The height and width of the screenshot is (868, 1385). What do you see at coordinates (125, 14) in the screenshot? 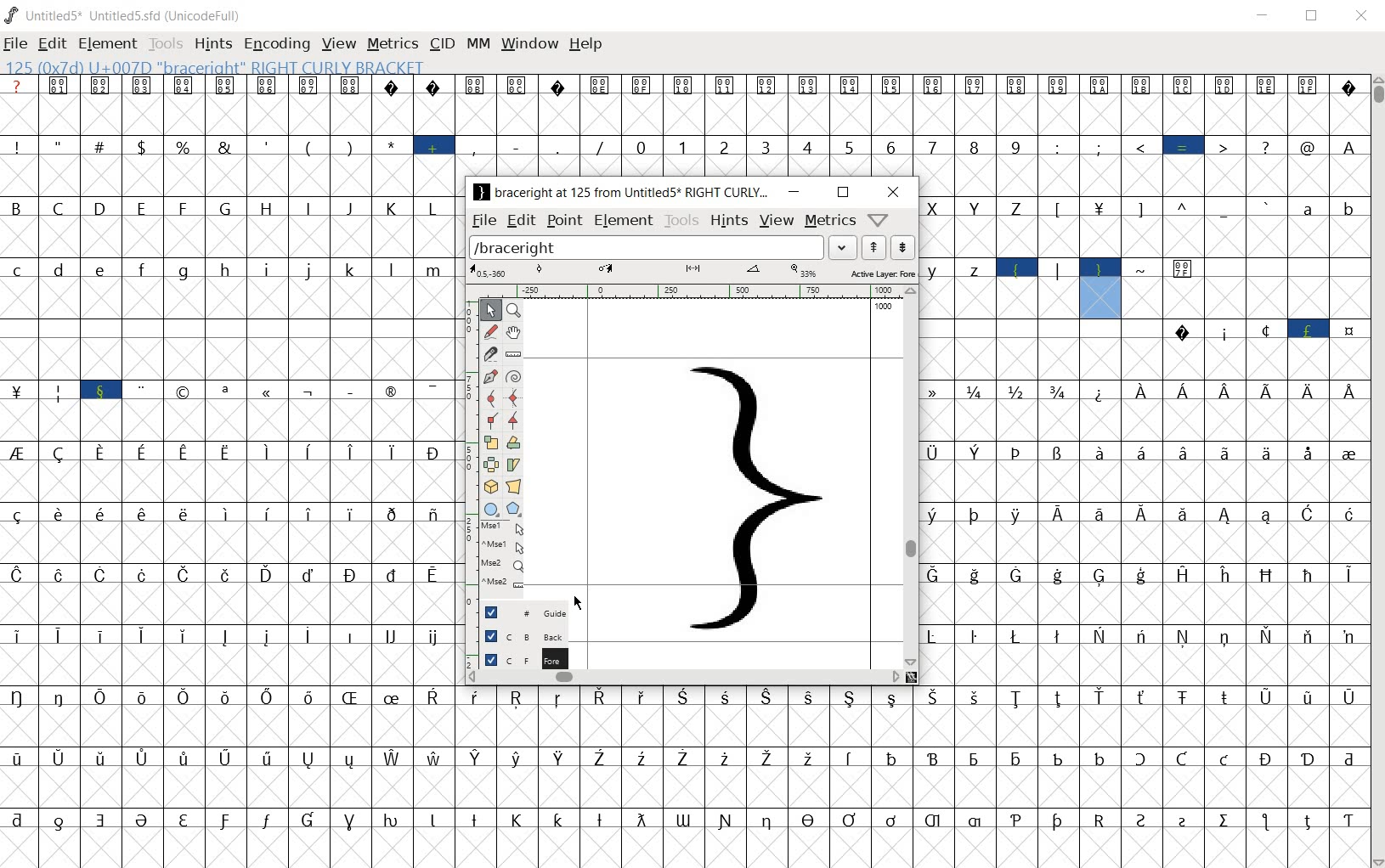
I see `Untitled5* Untitled5.sfd (UnicodeFull)` at bounding box center [125, 14].